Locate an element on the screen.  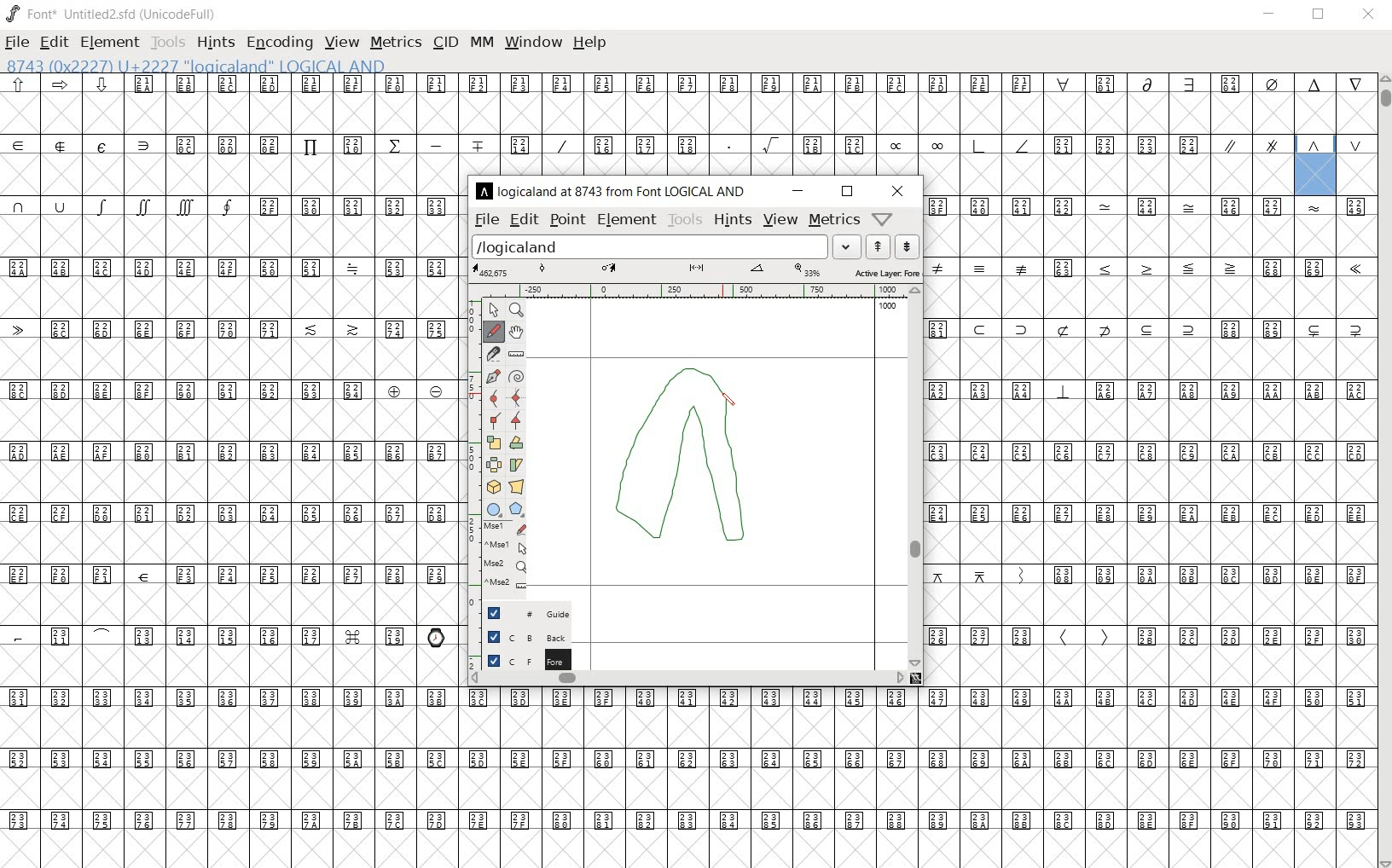
add a curve point always either horizontal or vertical is located at coordinates (496, 396).